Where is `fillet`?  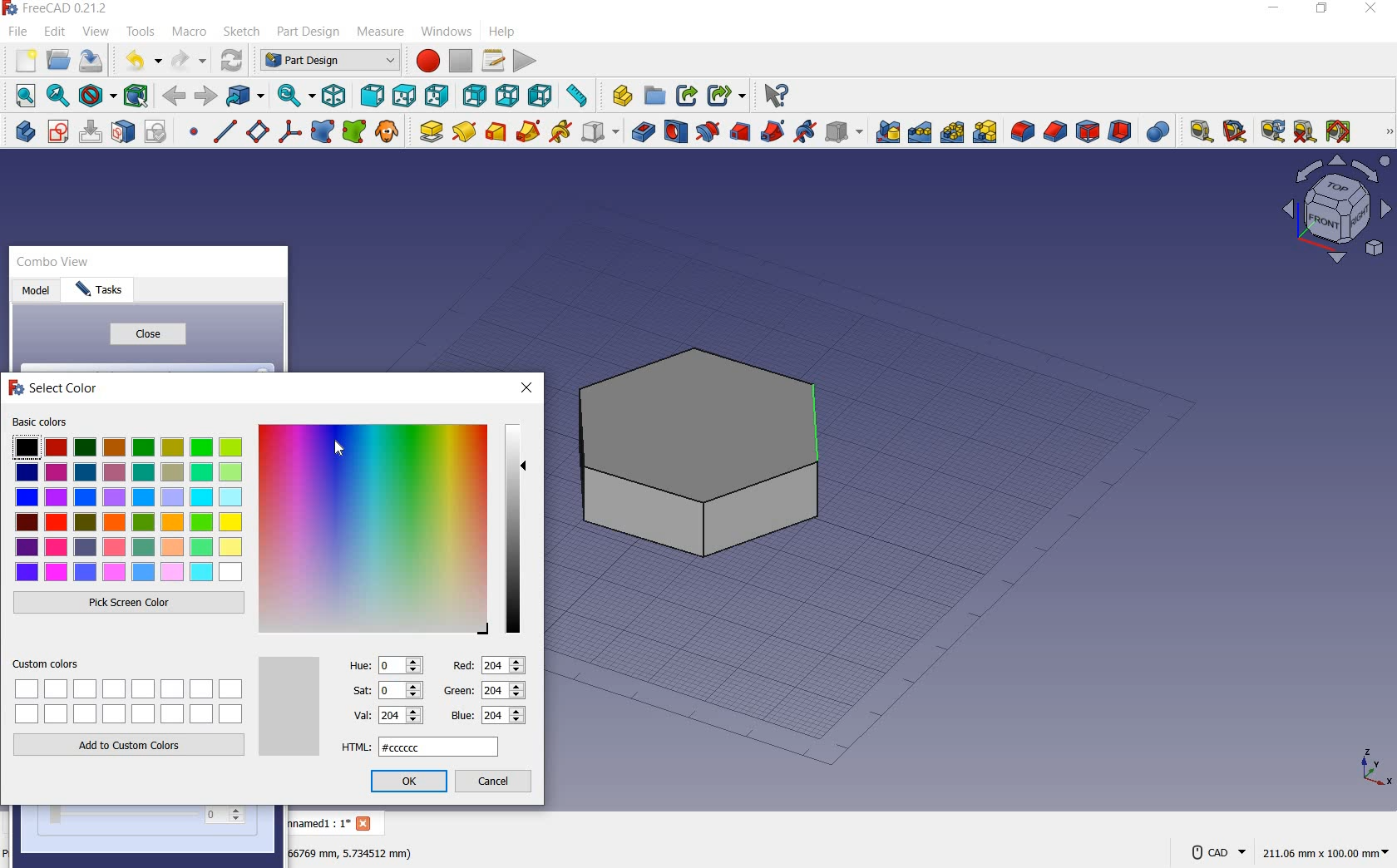 fillet is located at coordinates (1021, 132).